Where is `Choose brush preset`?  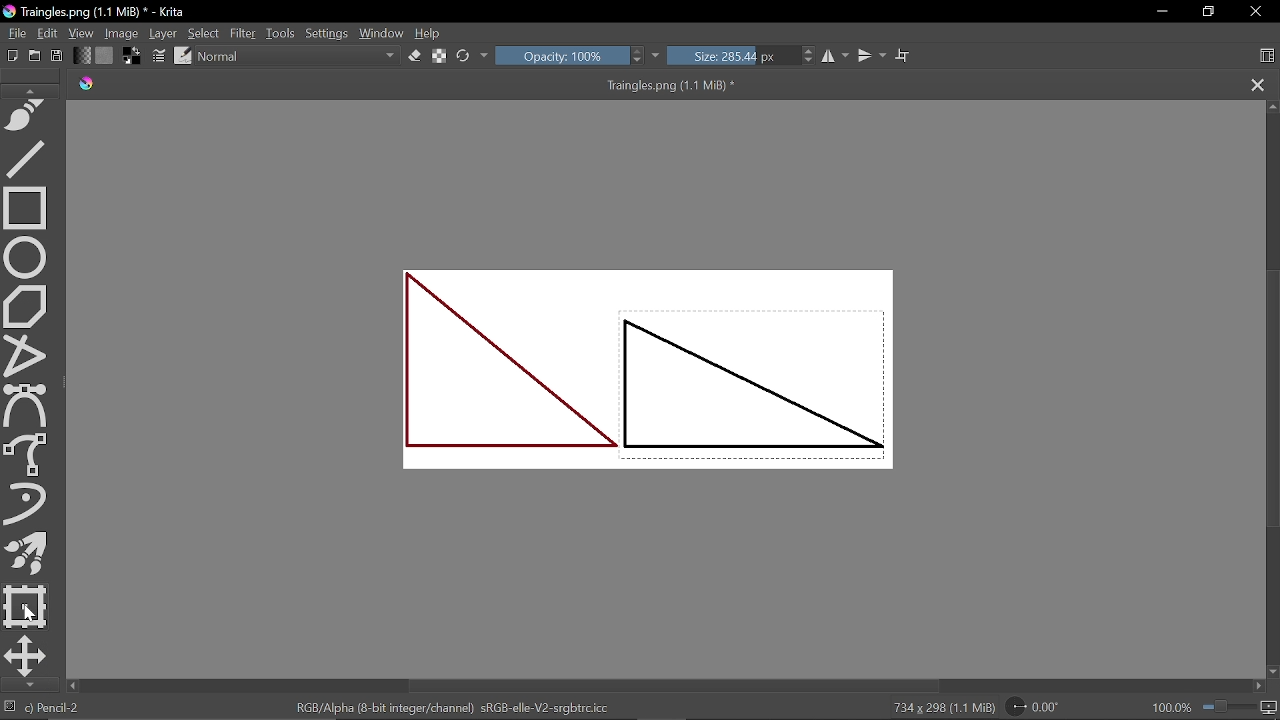 Choose brush preset is located at coordinates (183, 55).